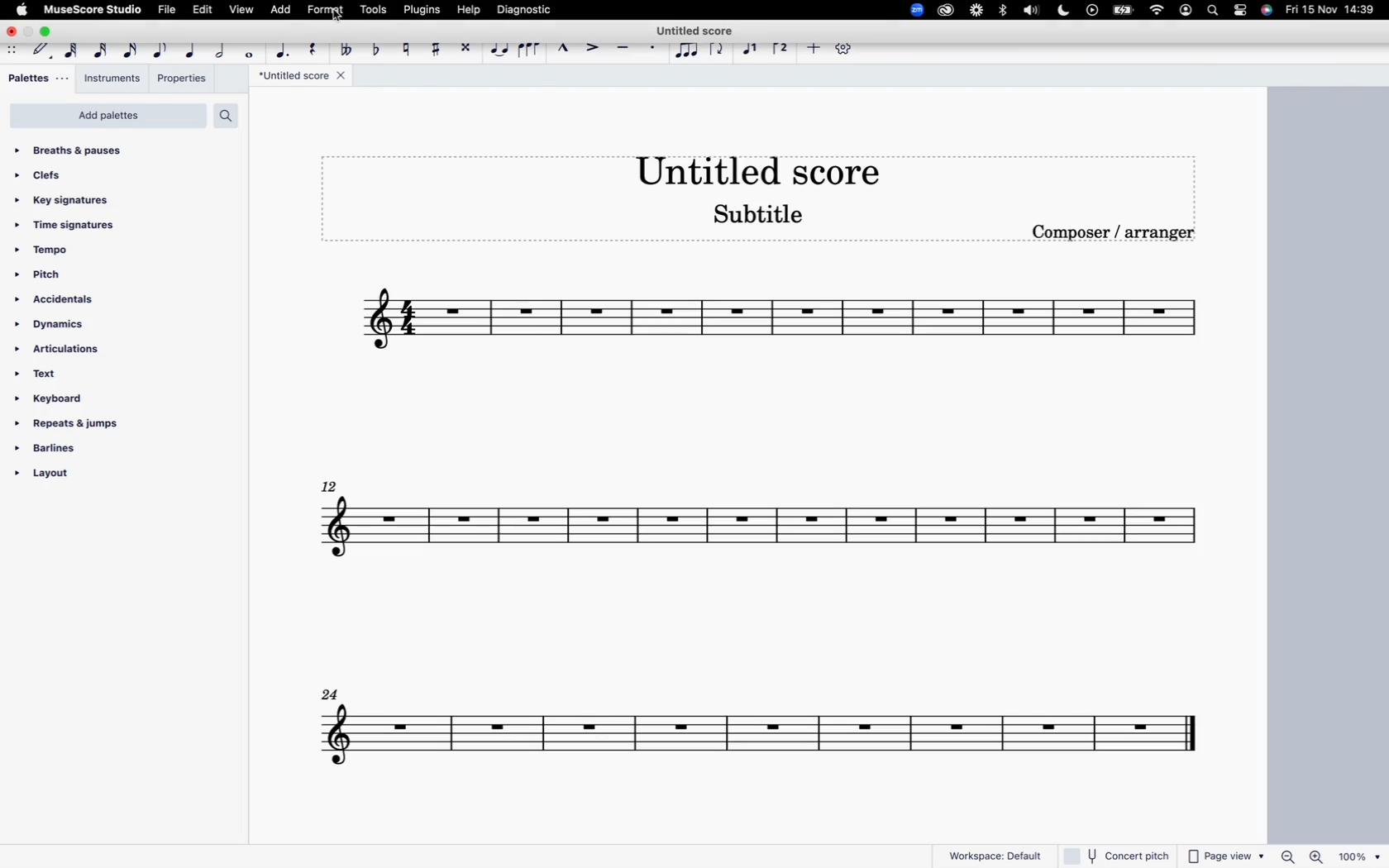 This screenshot has width=1389, height=868. Describe the element at coordinates (242, 11) in the screenshot. I see `view` at that location.